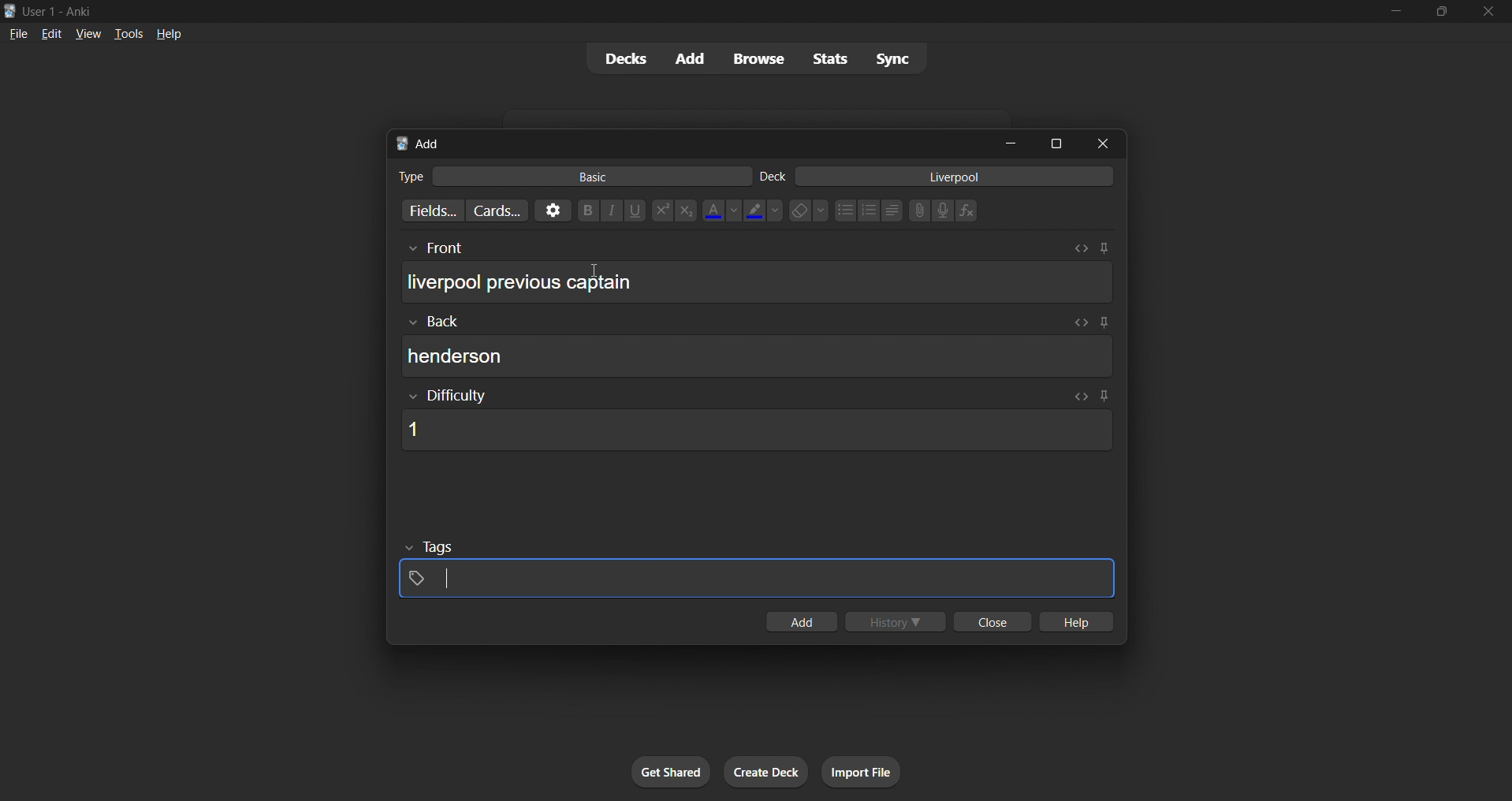 Image resolution: width=1512 pixels, height=801 pixels. I want to click on customize fields, so click(425, 212).